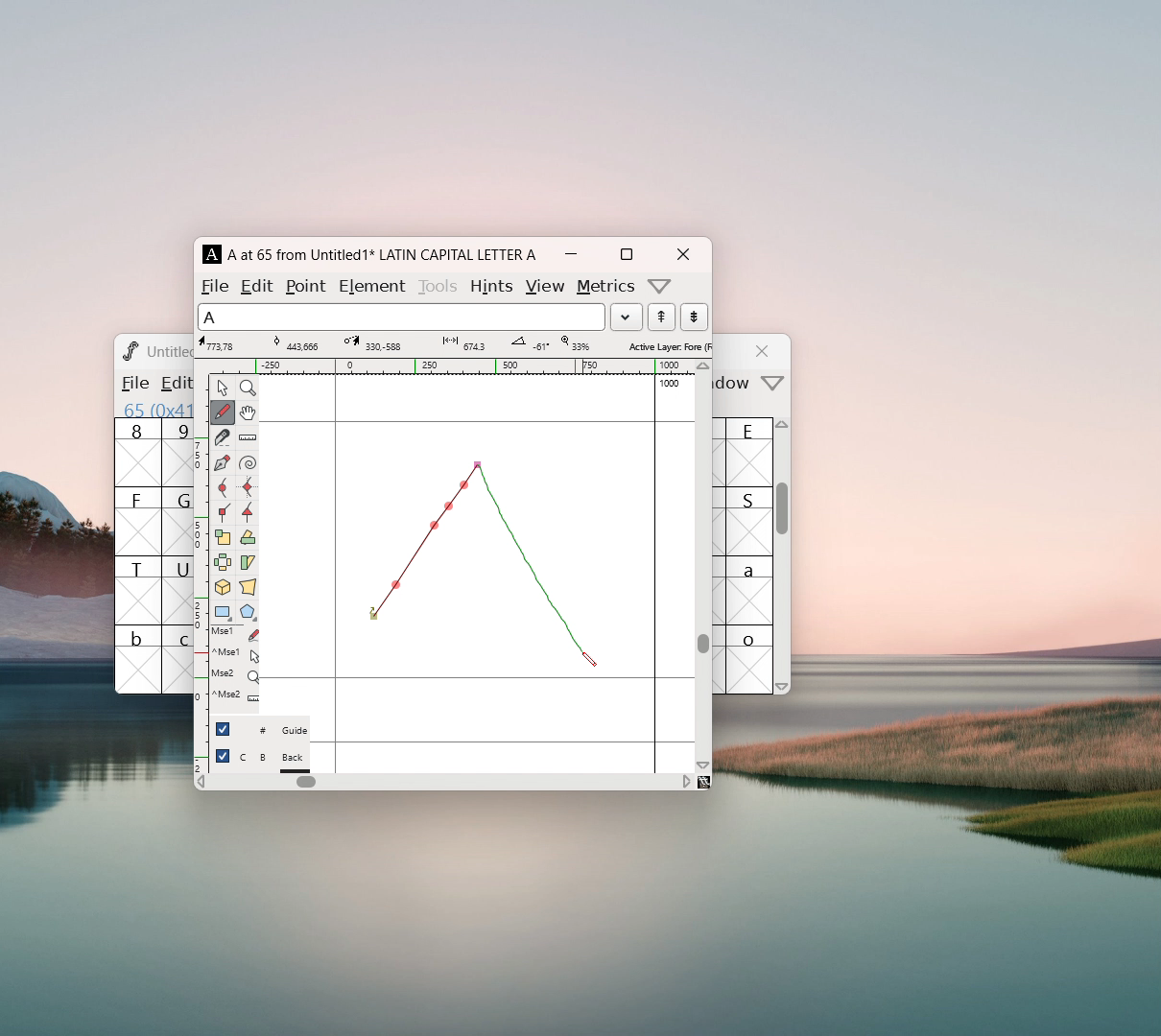 The width and height of the screenshot is (1161, 1036). What do you see at coordinates (258, 285) in the screenshot?
I see `edit` at bounding box center [258, 285].